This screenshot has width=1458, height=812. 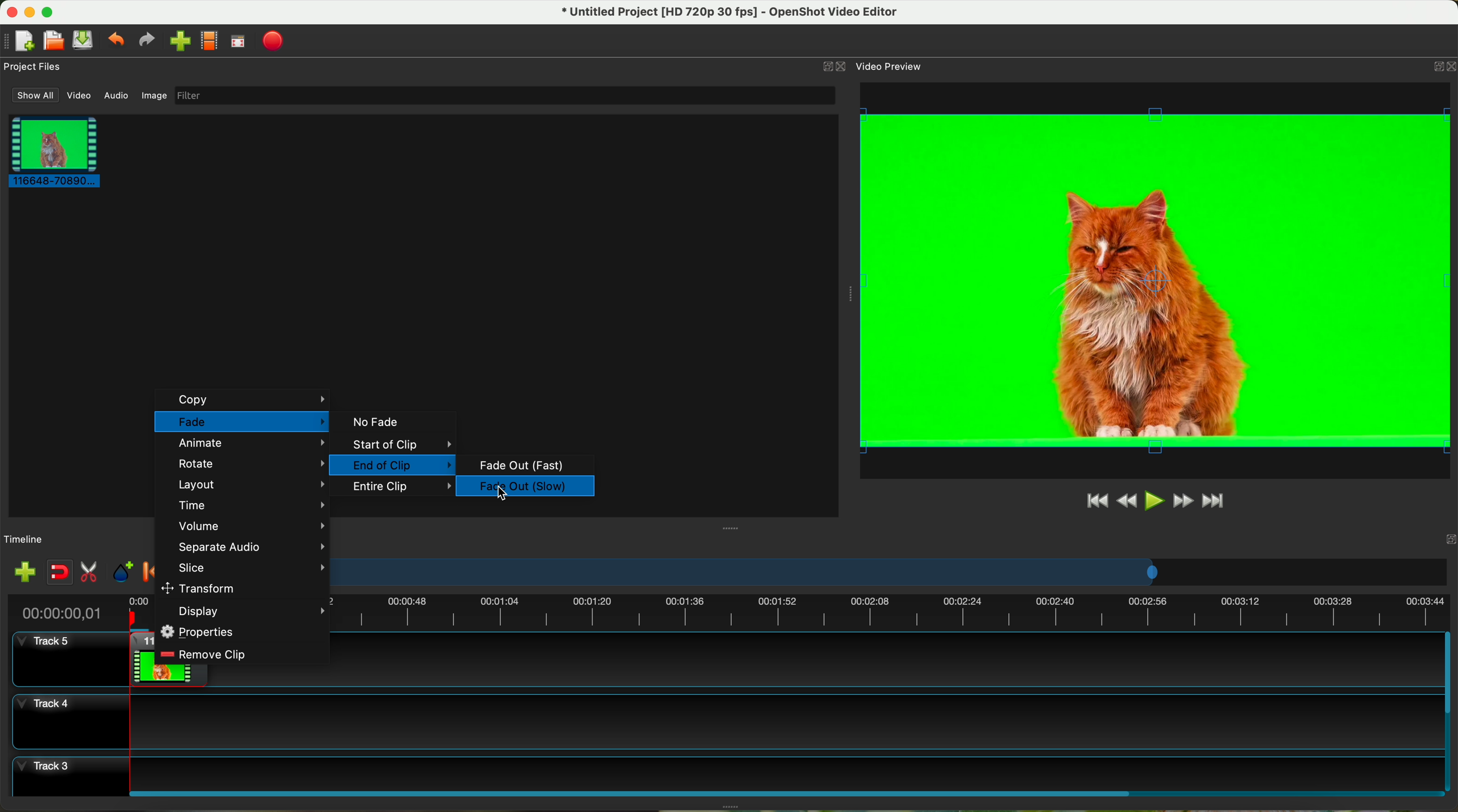 I want to click on track 5, so click(x=50, y=647).